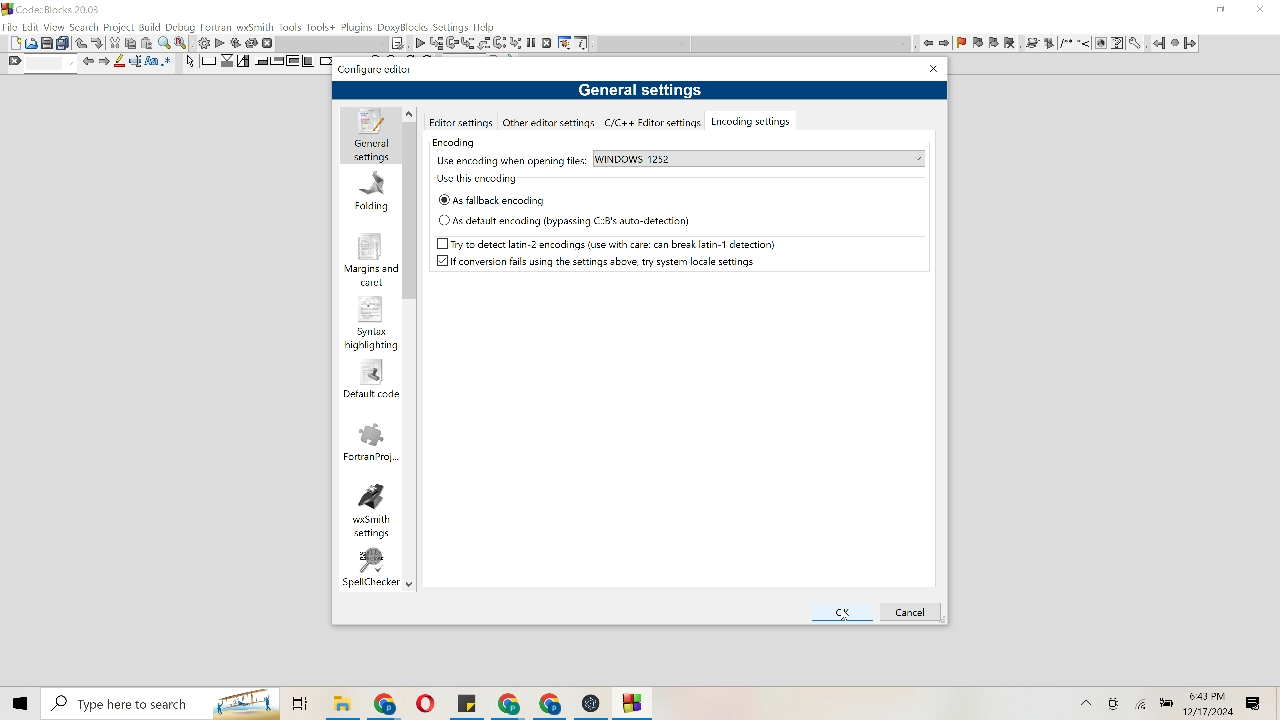 This screenshot has height=720, width=1280. I want to click on Move left, so click(928, 42).